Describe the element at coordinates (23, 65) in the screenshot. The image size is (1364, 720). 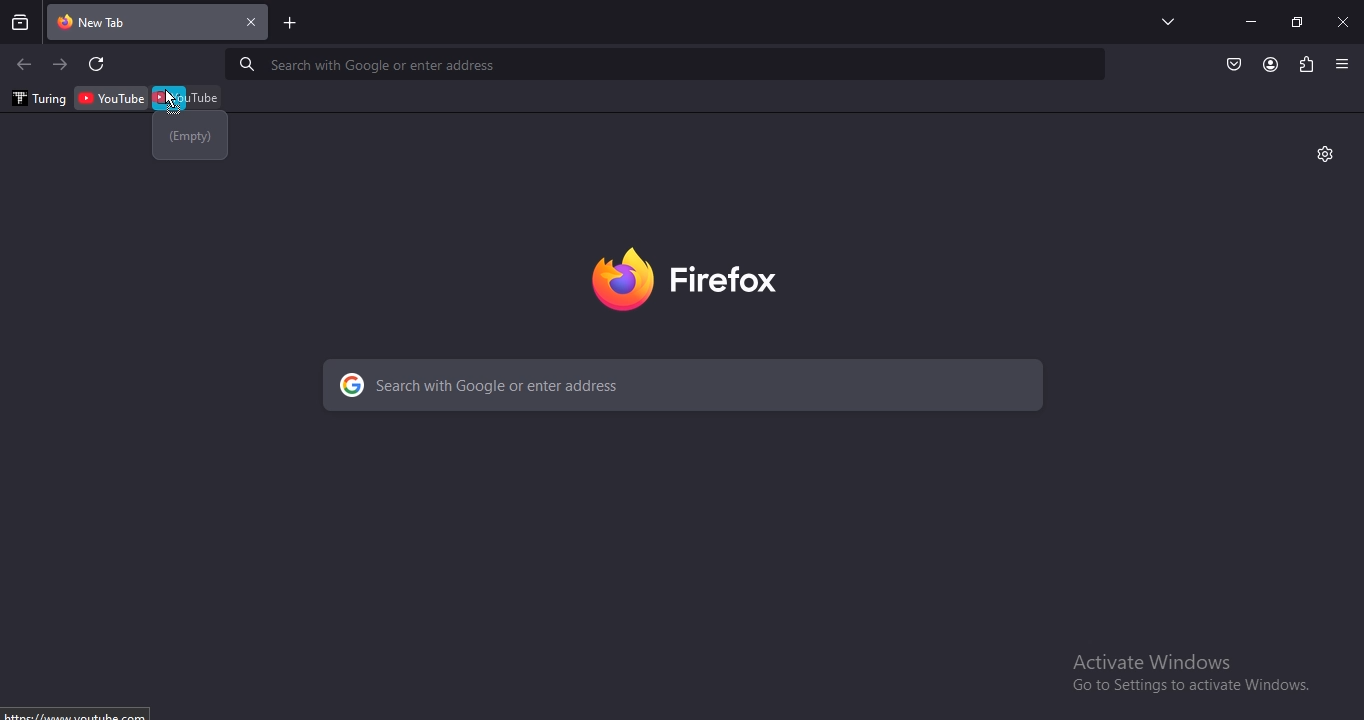
I see `click to go to previous page` at that location.